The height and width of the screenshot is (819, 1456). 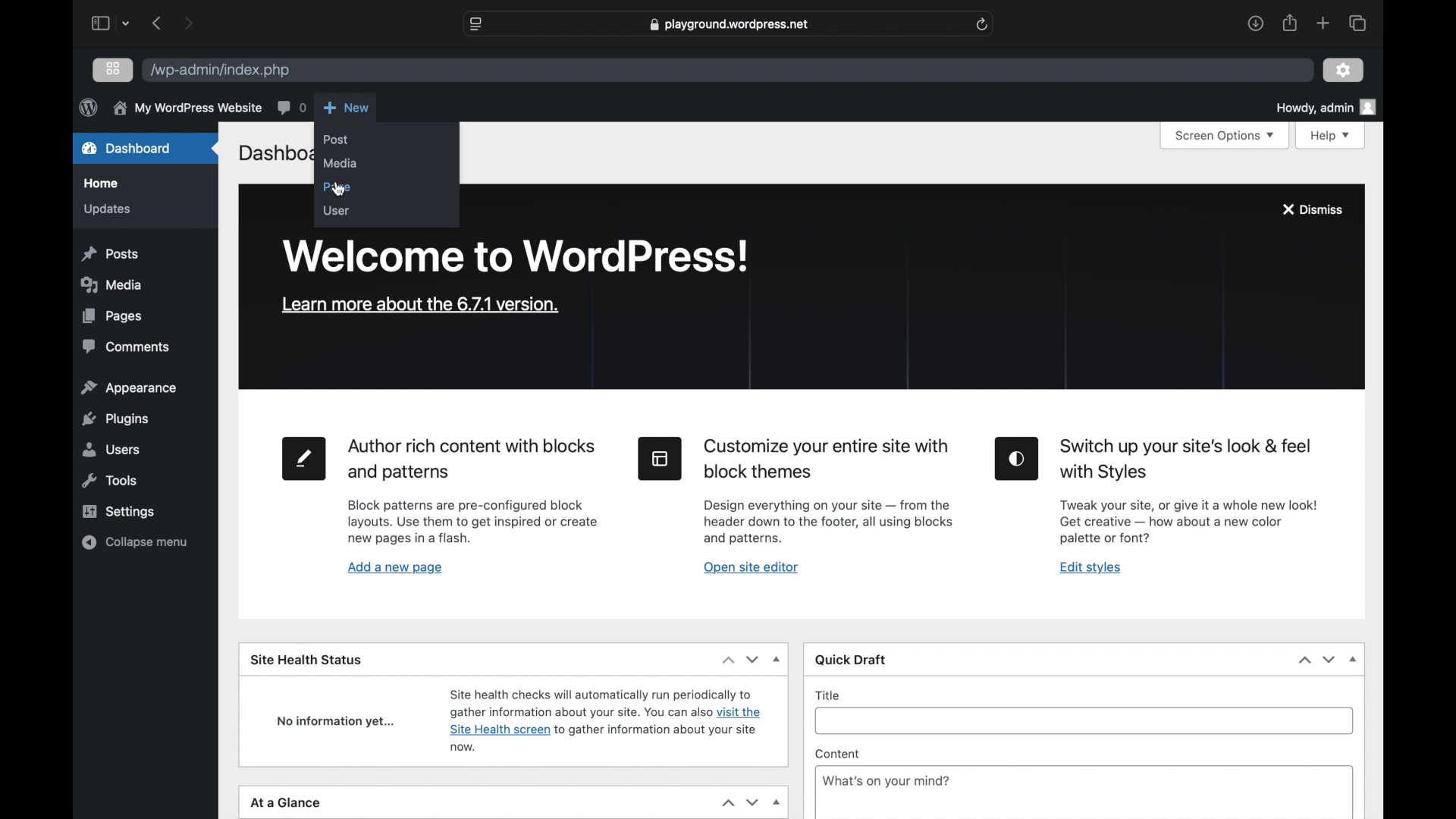 I want to click on share, so click(x=1291, y=24).